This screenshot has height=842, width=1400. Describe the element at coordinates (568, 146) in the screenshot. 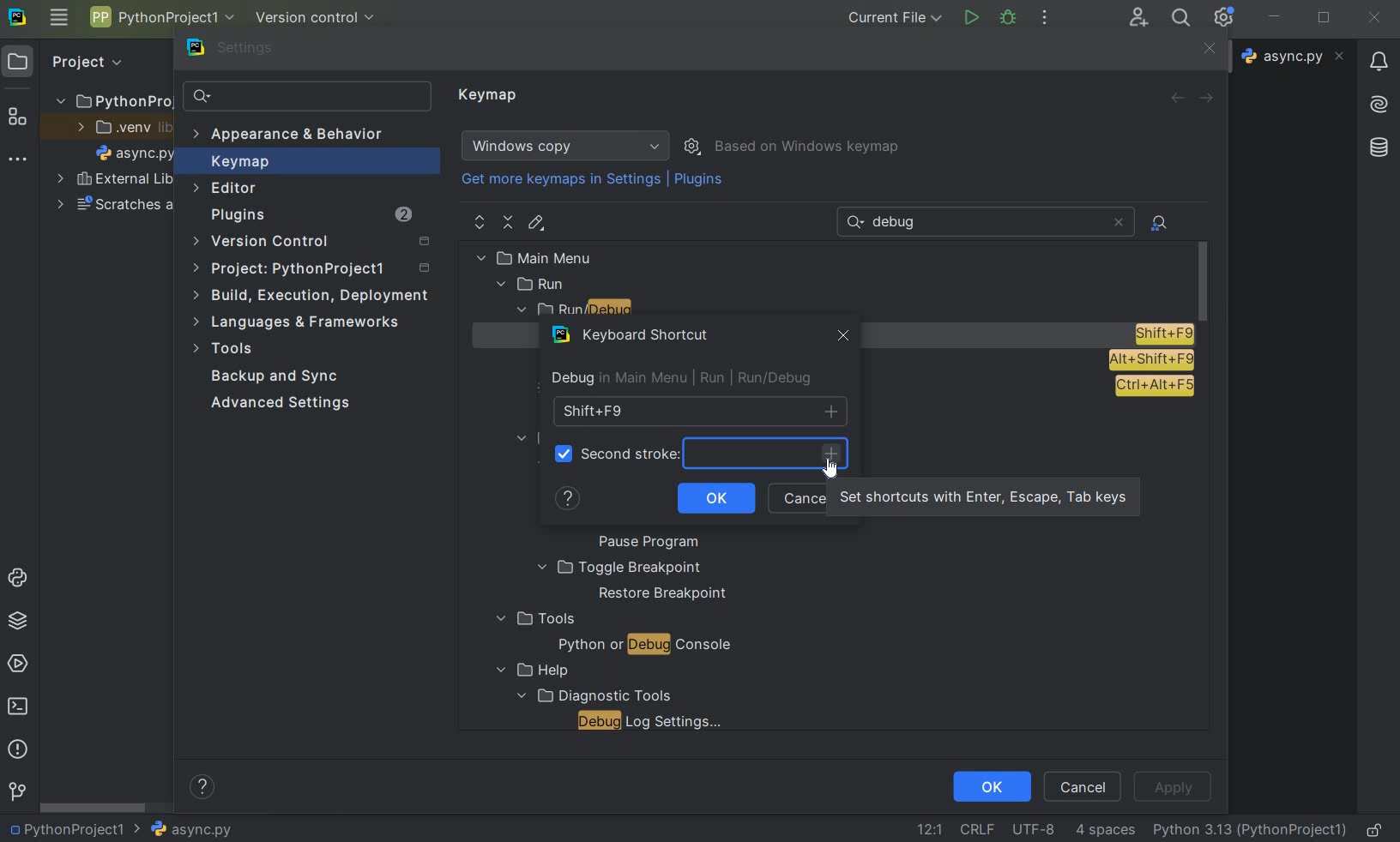

I see `windows copy` at that location.